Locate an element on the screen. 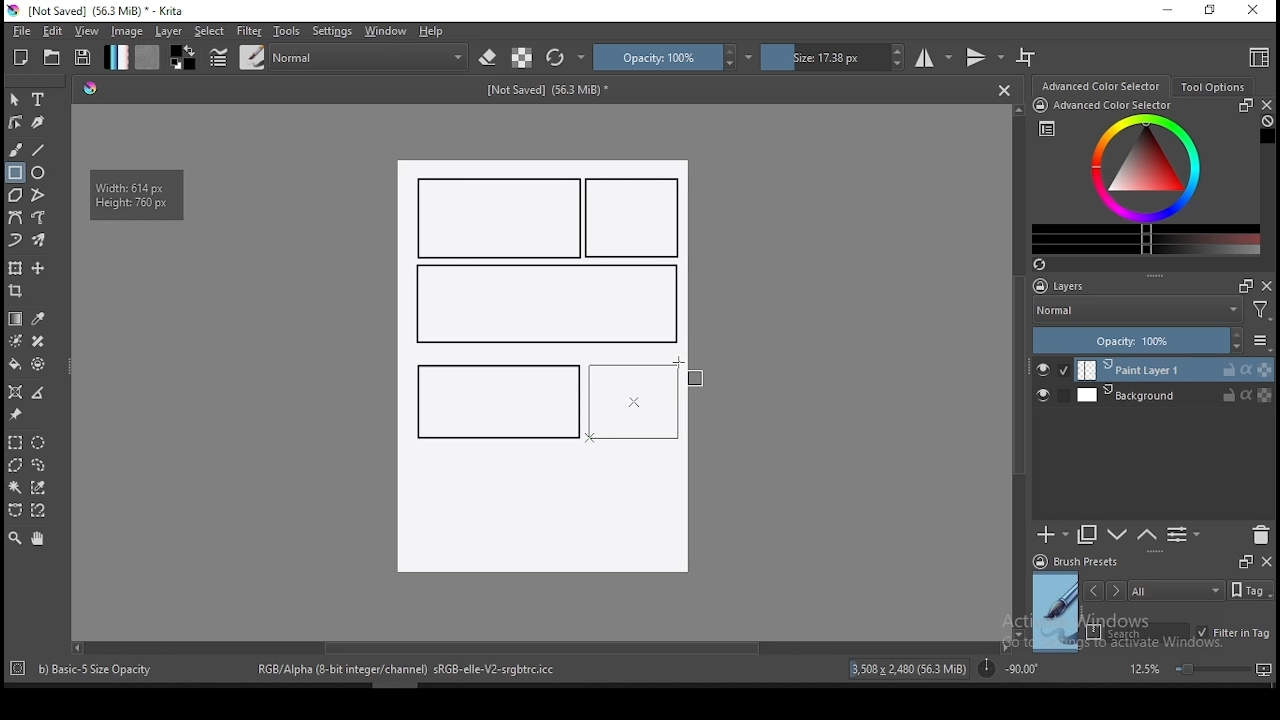 The width and height of the screenshot is (1280, 720). transform a layer or a selection is located at coordinates (15, 267).